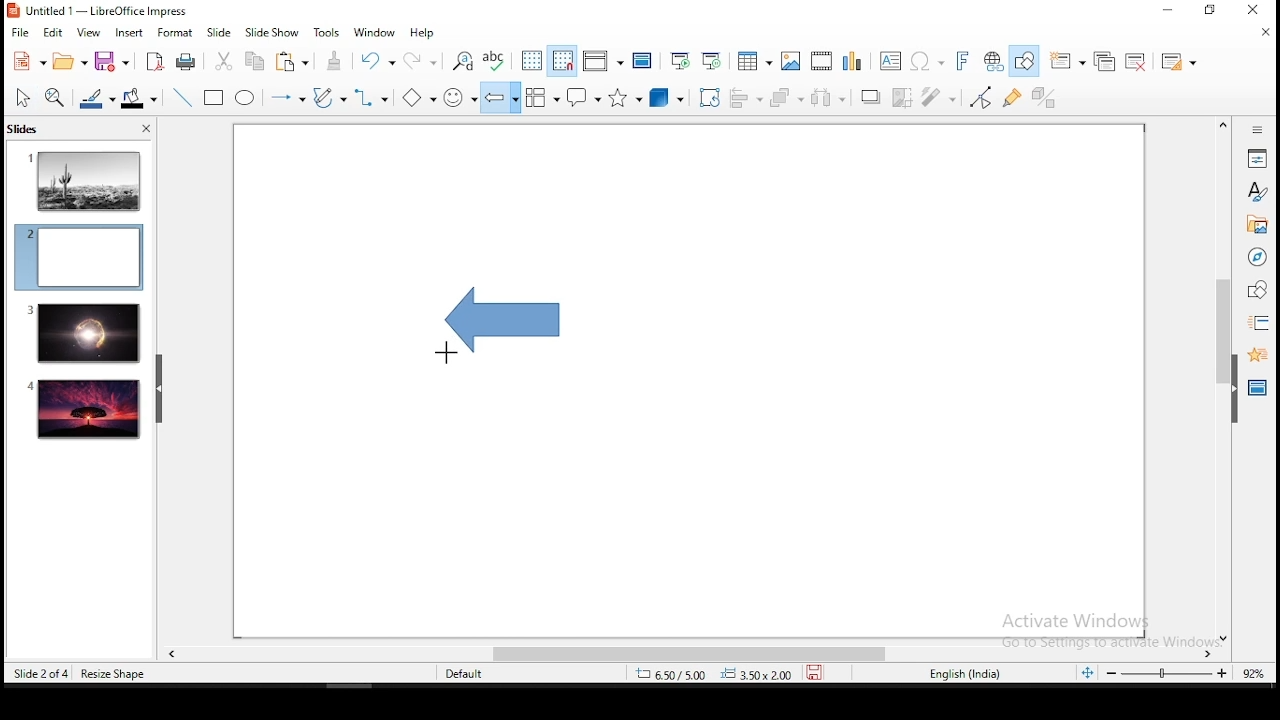  I want to click on help, so click(424, 33).